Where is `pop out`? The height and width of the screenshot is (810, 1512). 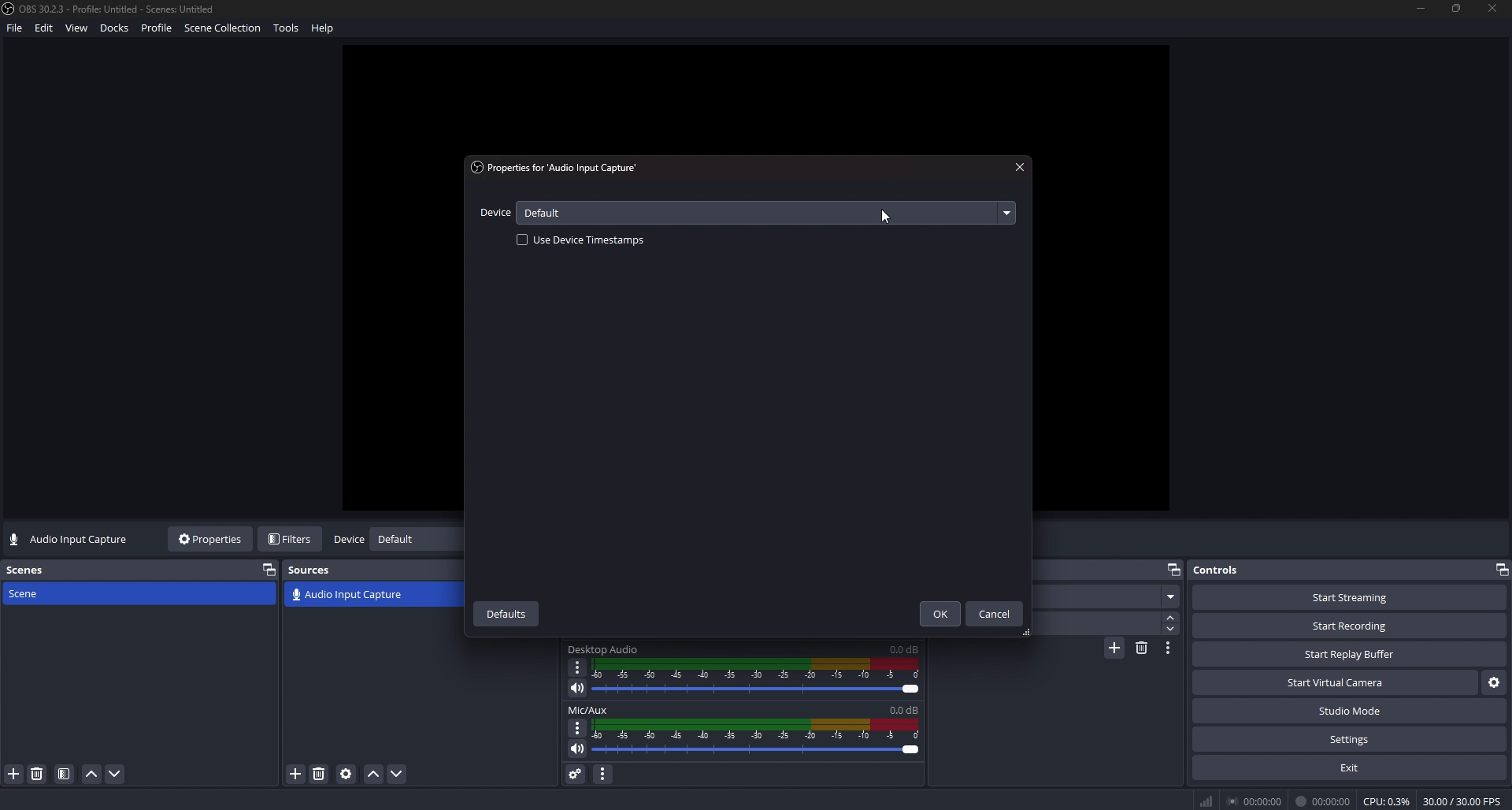 pop out is located at coordinates (269, 569).